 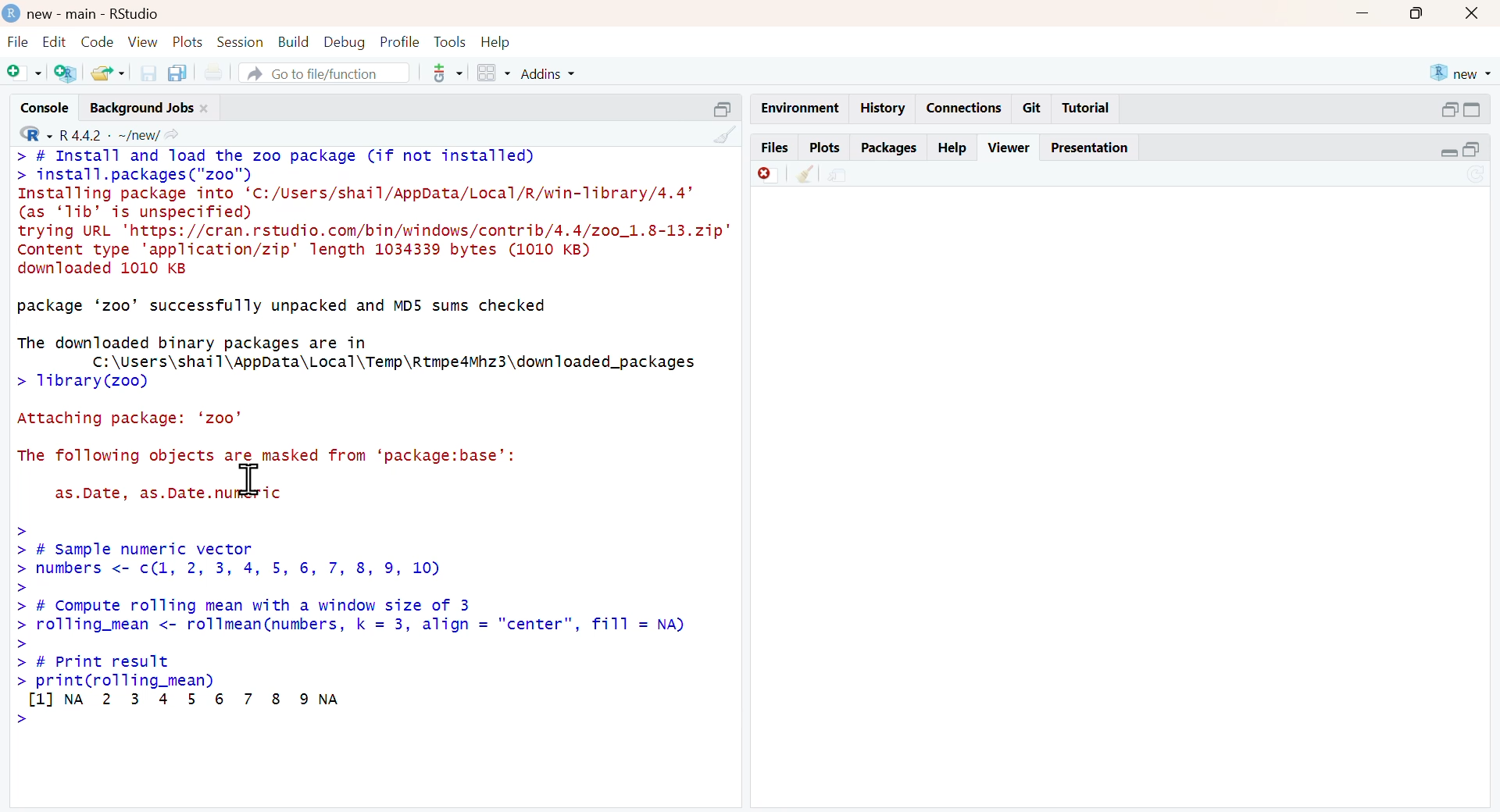 What do you see at coordinates (1450, 109) in the screenshot?
I see `open in separate window` at bounding box center [1450, 109].